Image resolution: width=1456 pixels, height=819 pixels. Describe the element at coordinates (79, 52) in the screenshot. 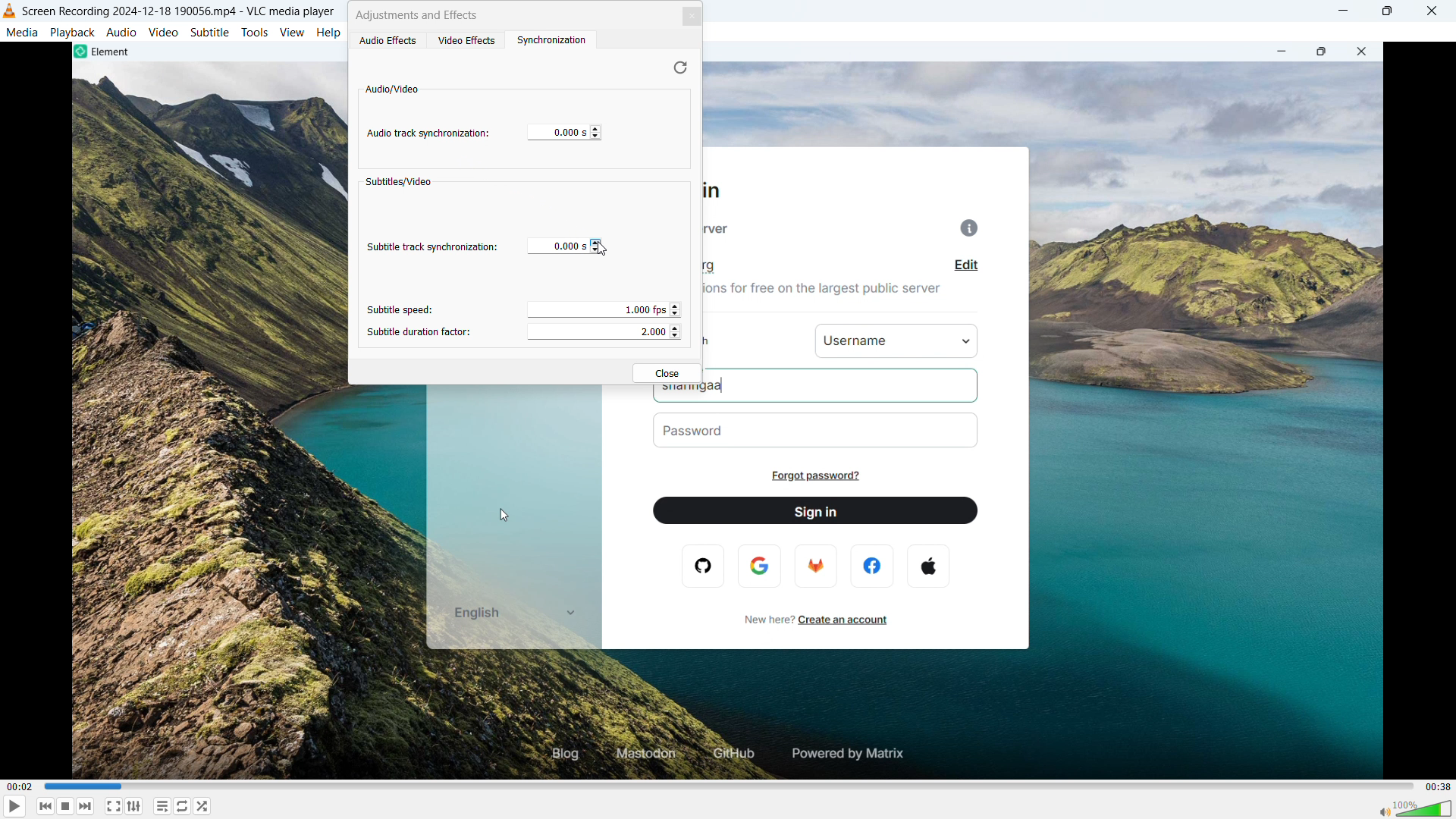

I see `element logo` at that location.